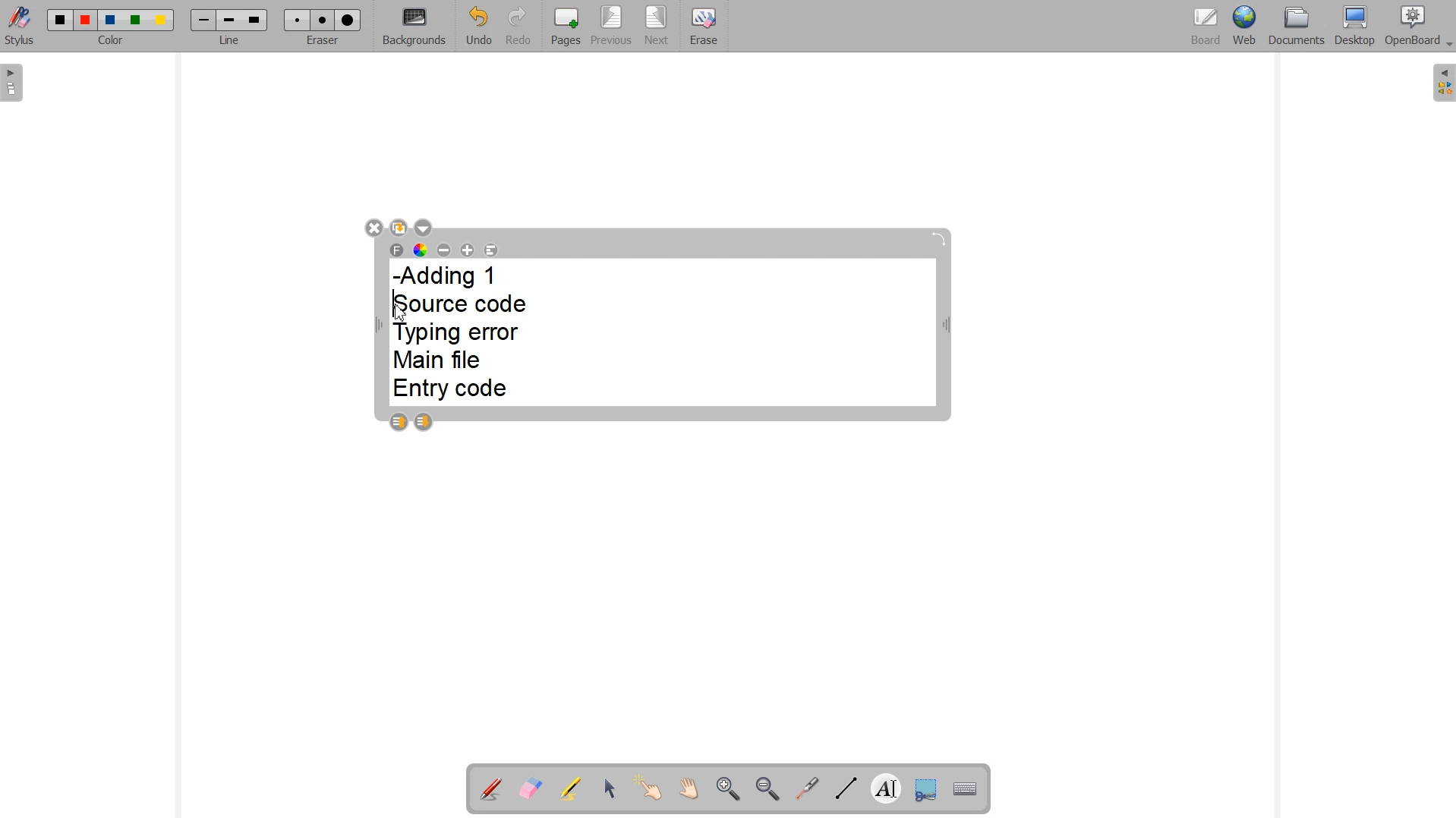  I want to click on Color 2, so click(87, 20).